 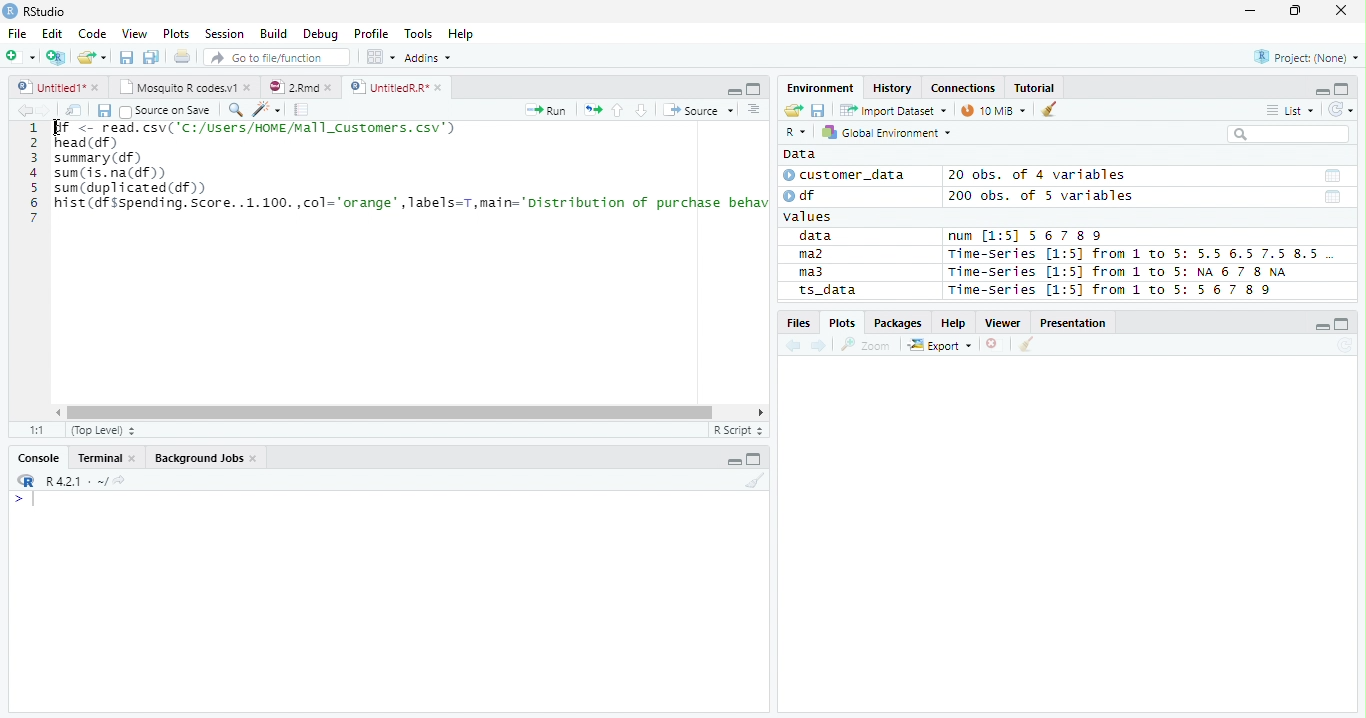 I want to click on Zoom, so click(x=866, y=345).